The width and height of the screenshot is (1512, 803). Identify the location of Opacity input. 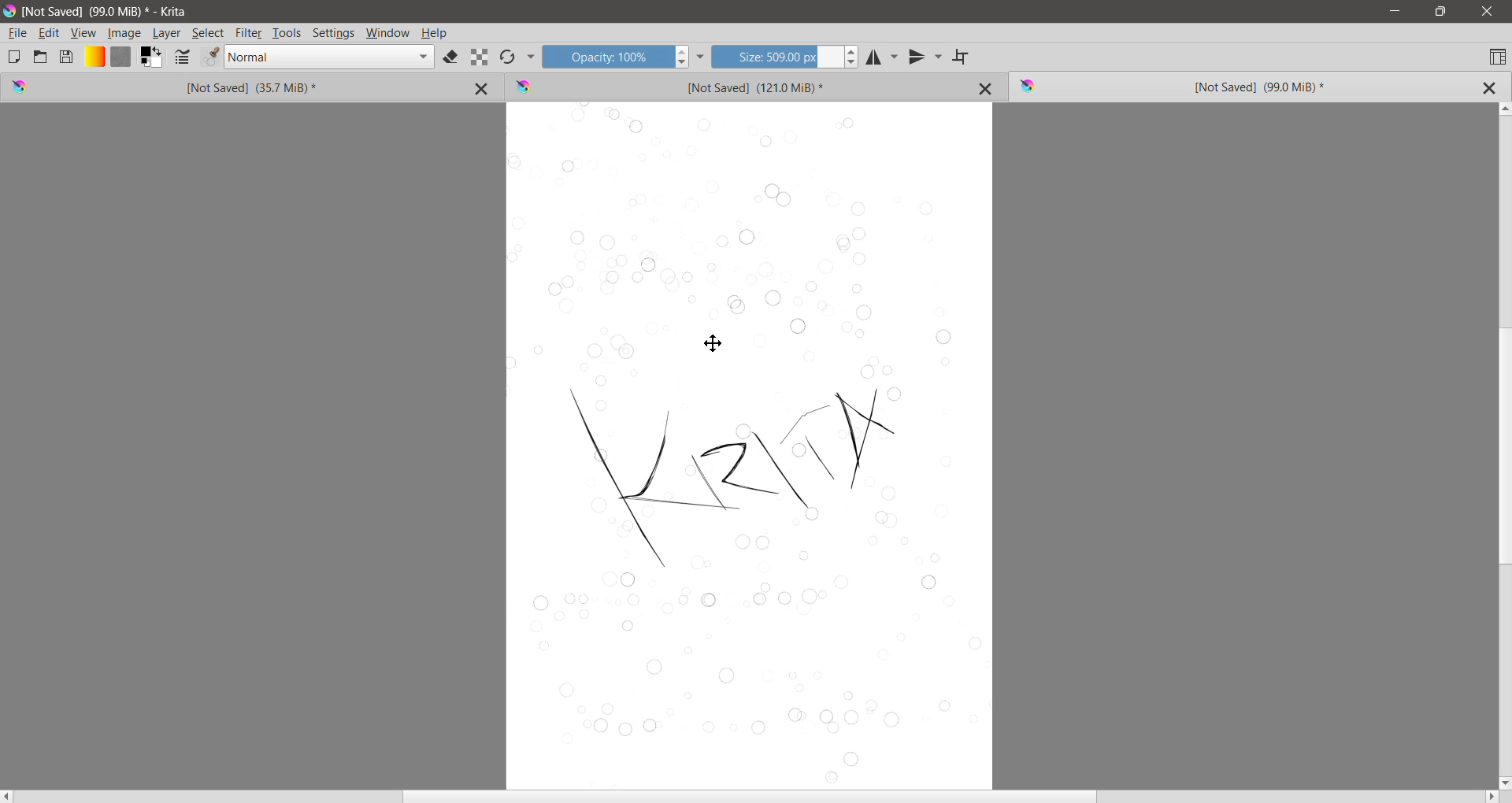
(606, 56).